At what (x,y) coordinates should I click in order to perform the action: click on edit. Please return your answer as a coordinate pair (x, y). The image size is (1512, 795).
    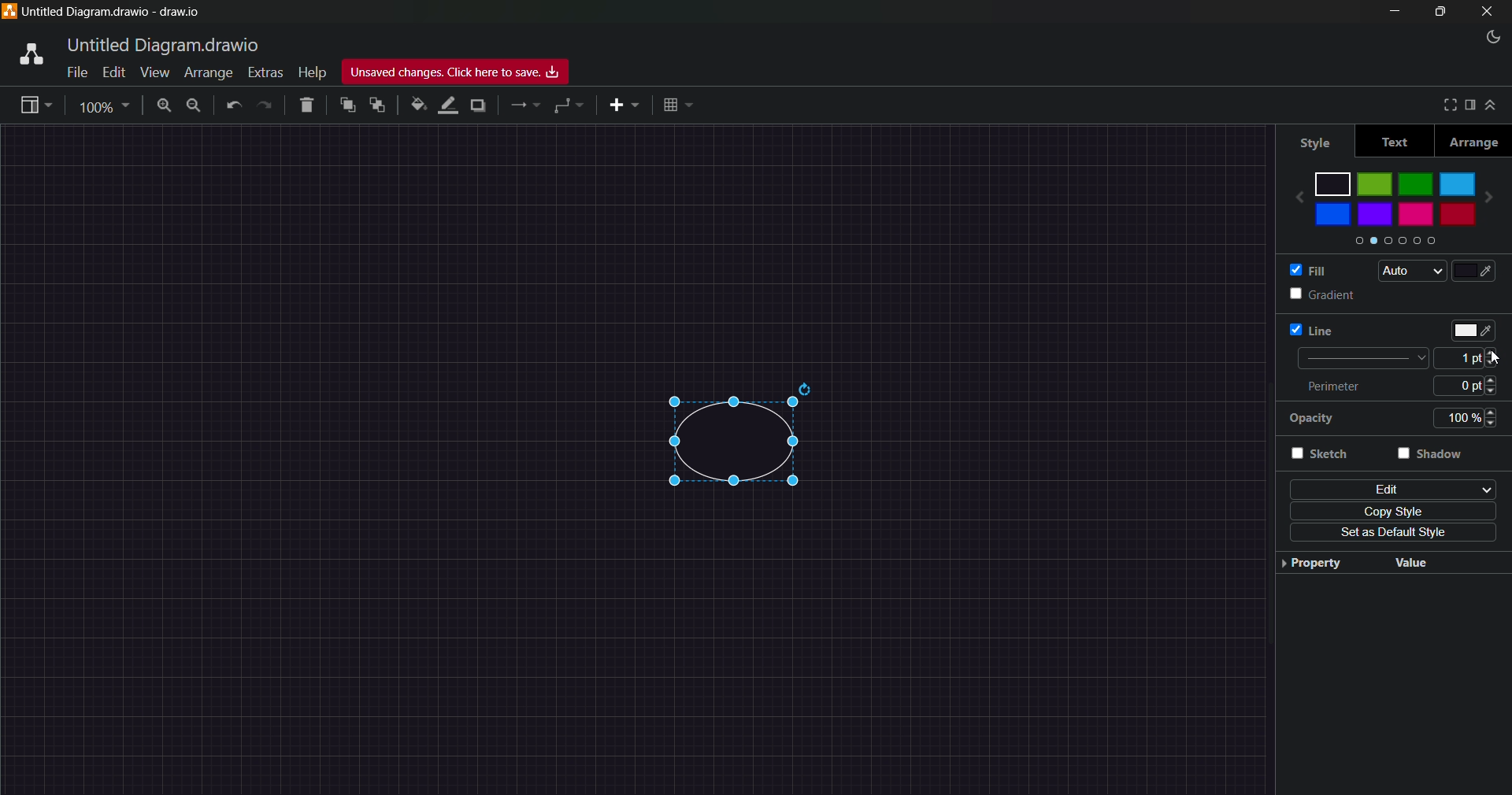
    Looking at the image, I should click on (114, 72).